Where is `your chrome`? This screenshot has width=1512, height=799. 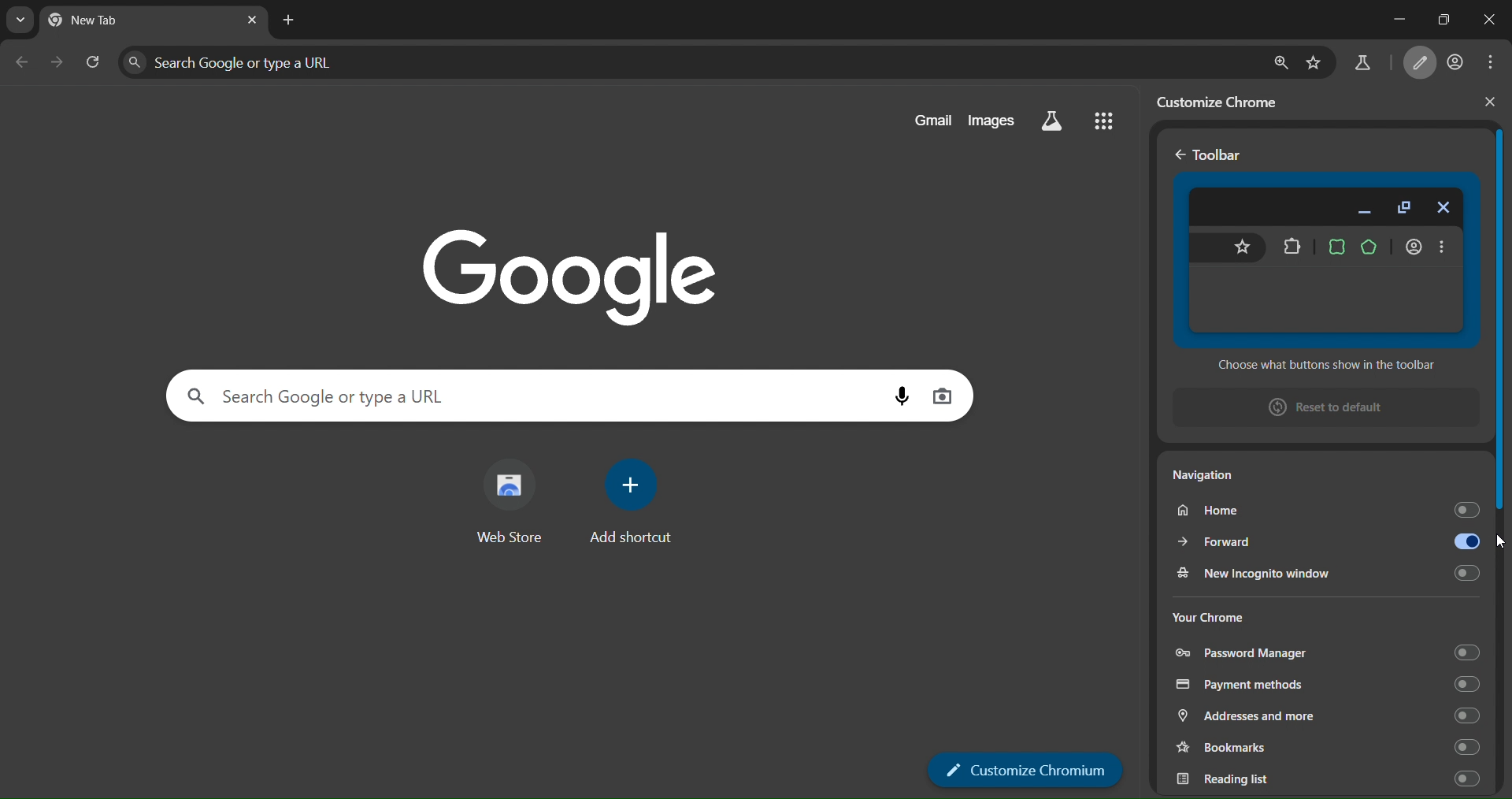 your chrome is located at coordinates (1217, 614).